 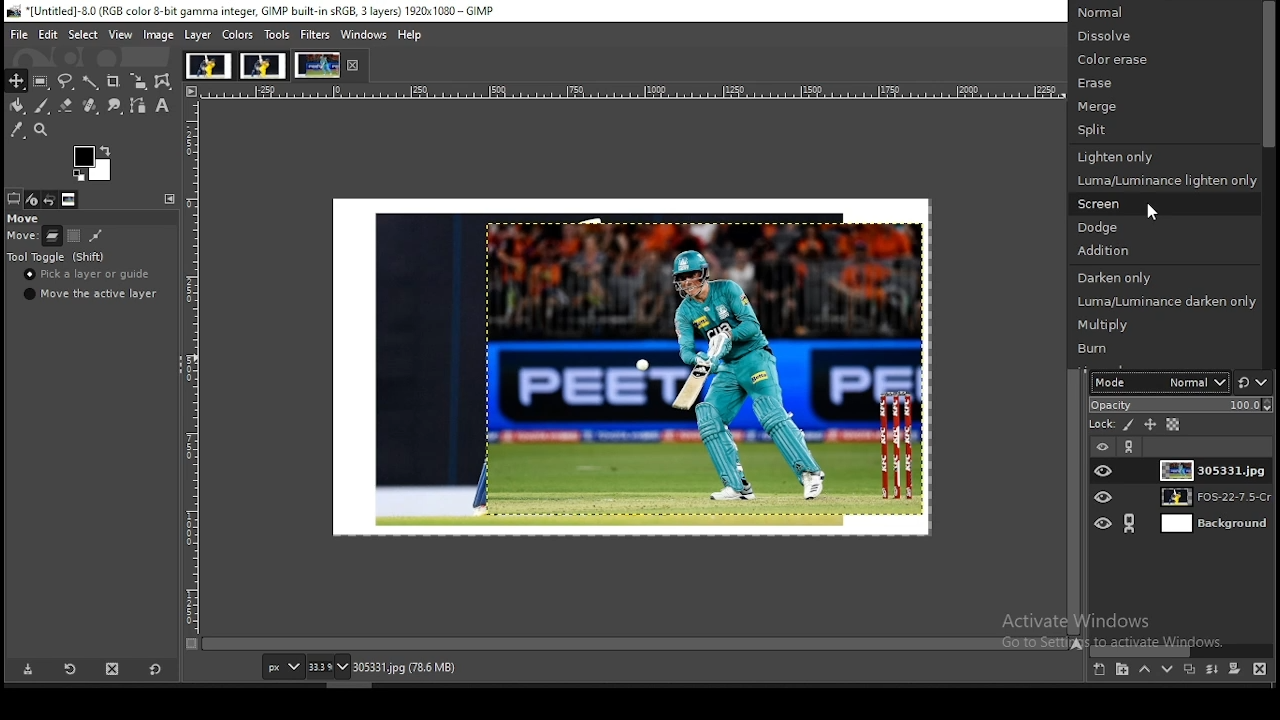 What do you see at coordinates (19, 105) in the screenshot?
I see `painbucket tool` at bounding box center [19, 105].